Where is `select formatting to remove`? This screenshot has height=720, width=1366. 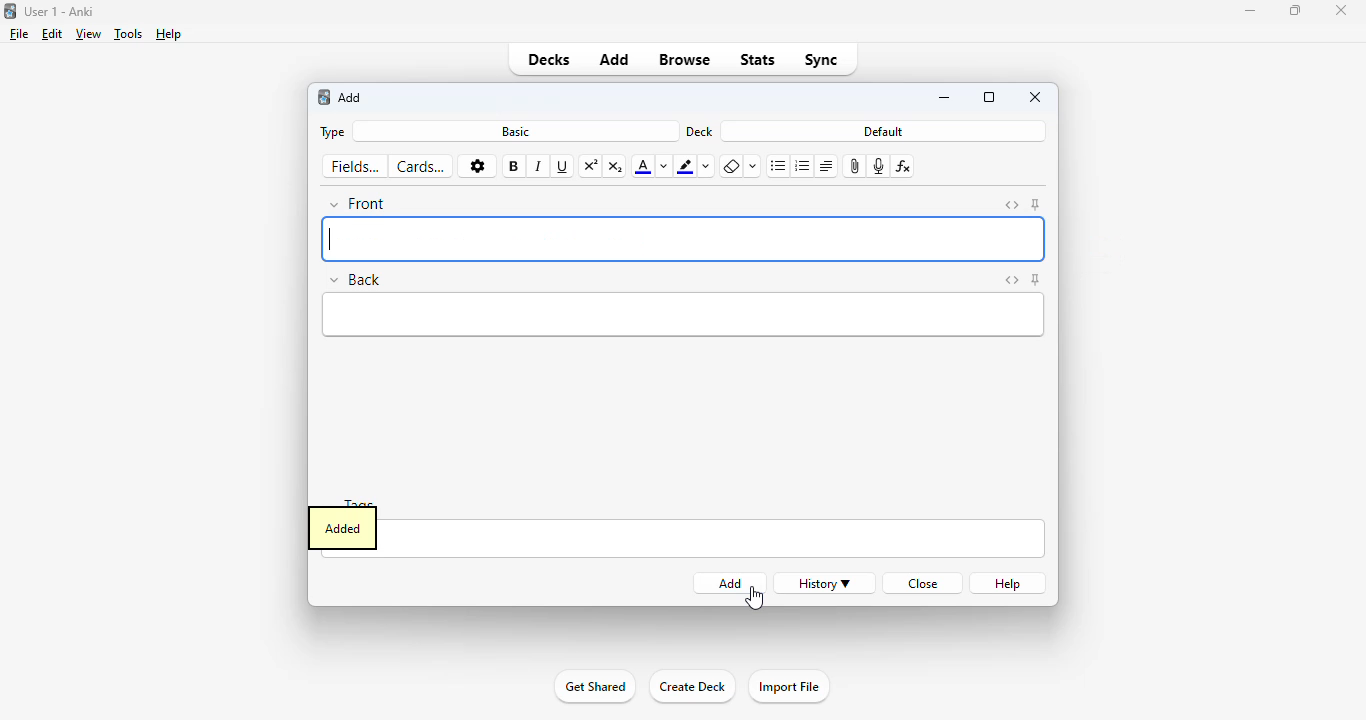 select formatting to remove is located at coordinates (753, 167).